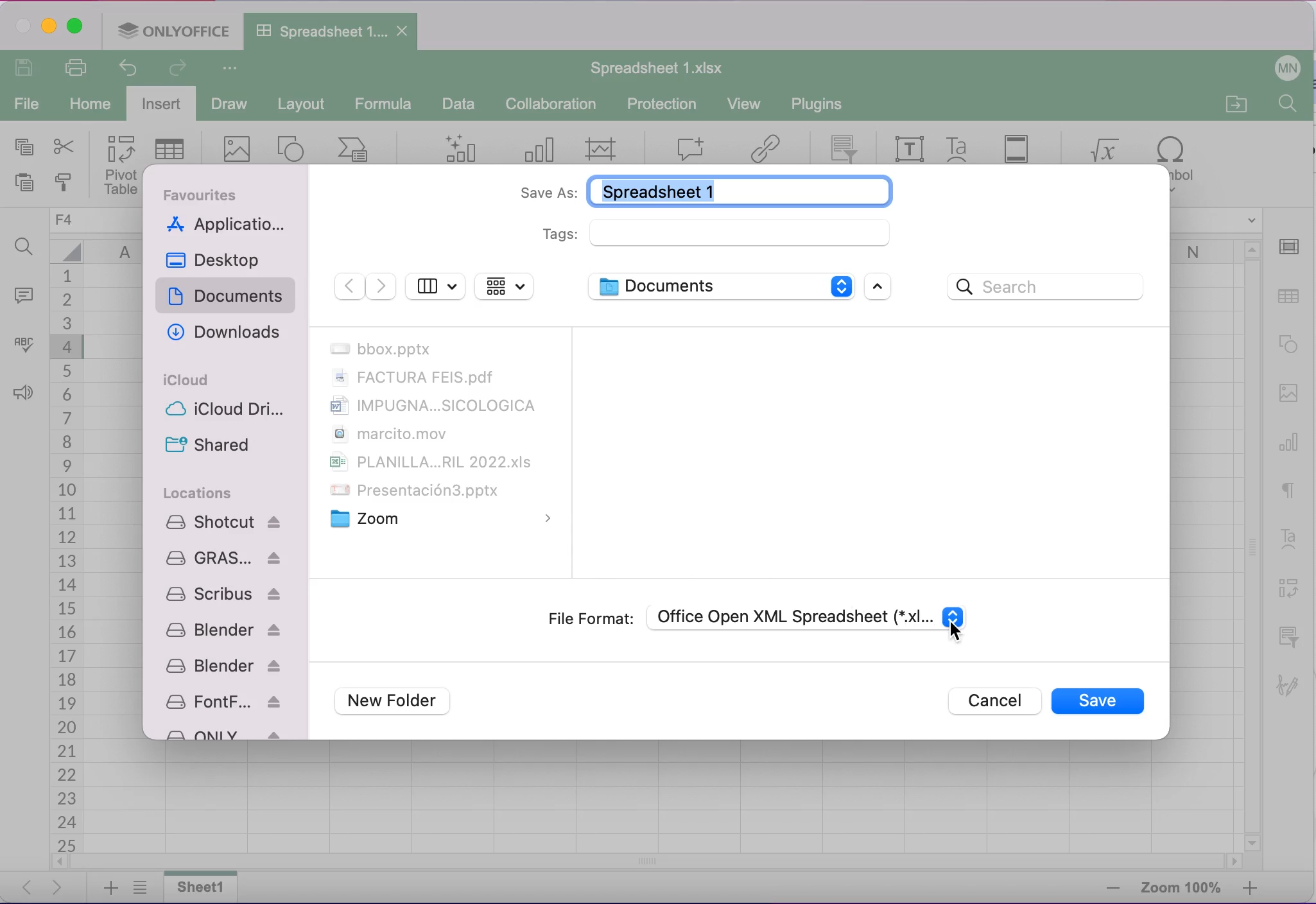  I want to click on next, so click(381, 287).